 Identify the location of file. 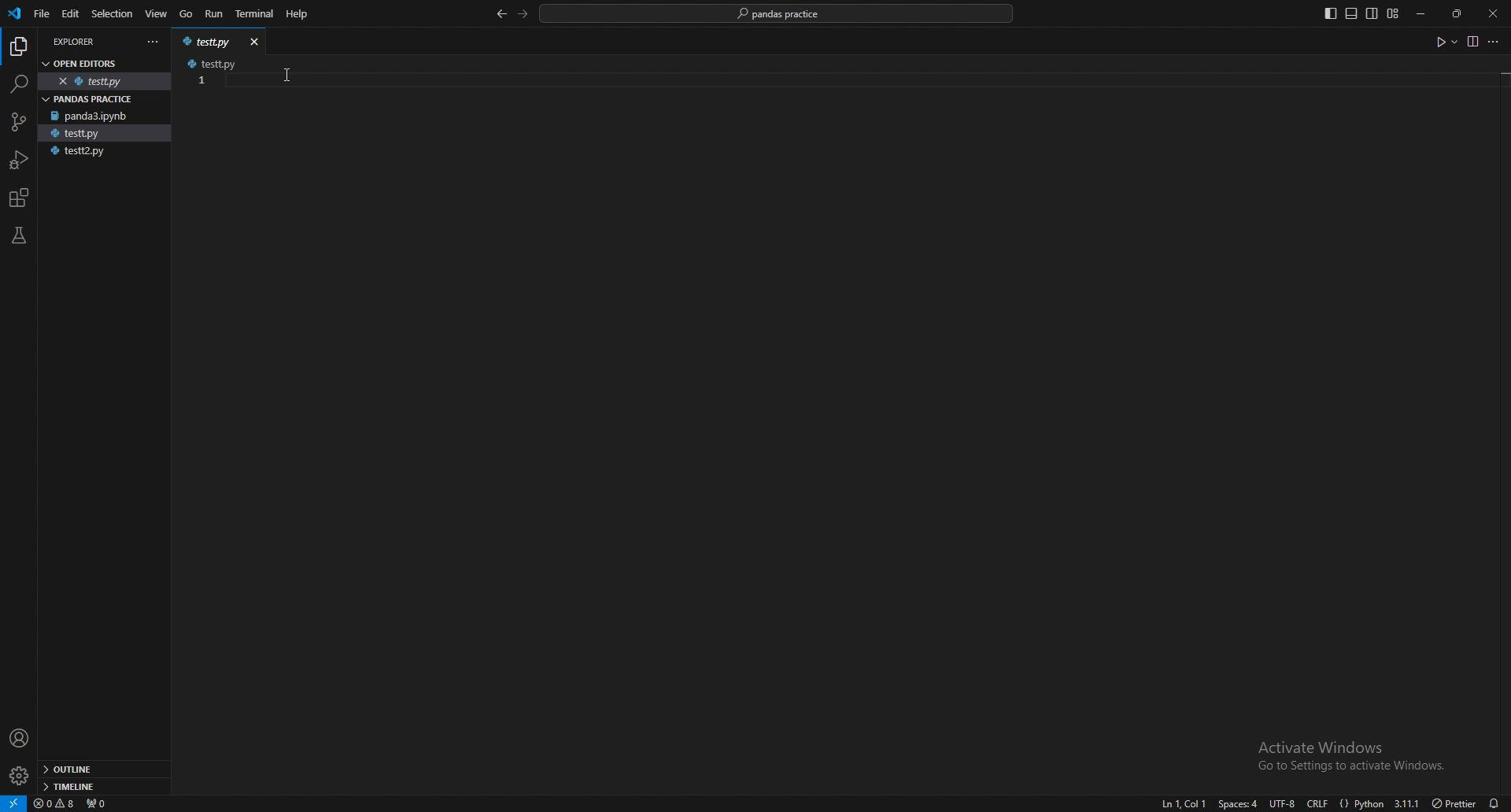
(42, 13).